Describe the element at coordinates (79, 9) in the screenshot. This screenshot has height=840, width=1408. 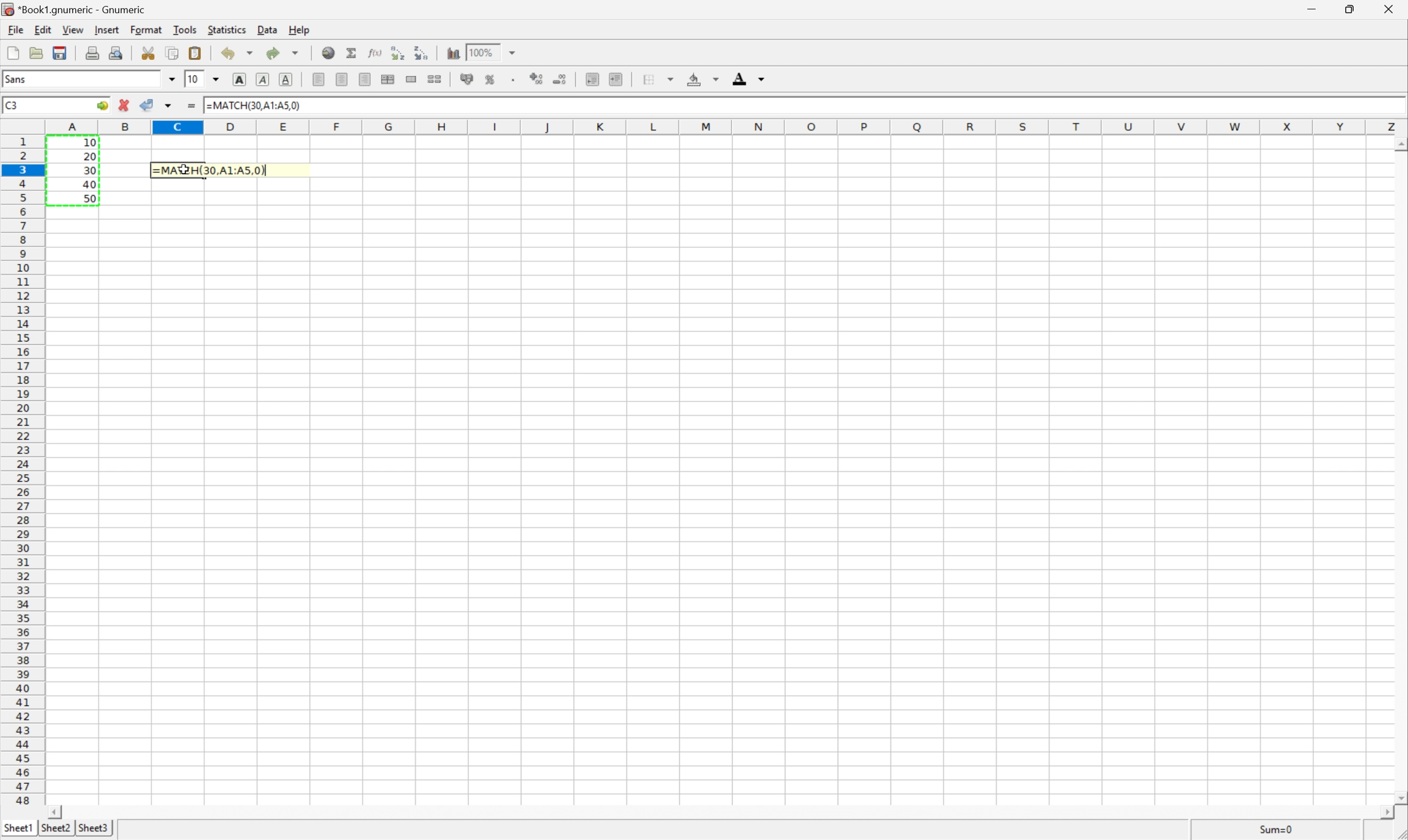
I see `*Book1.gnumeric - Gnumeric` at that location.